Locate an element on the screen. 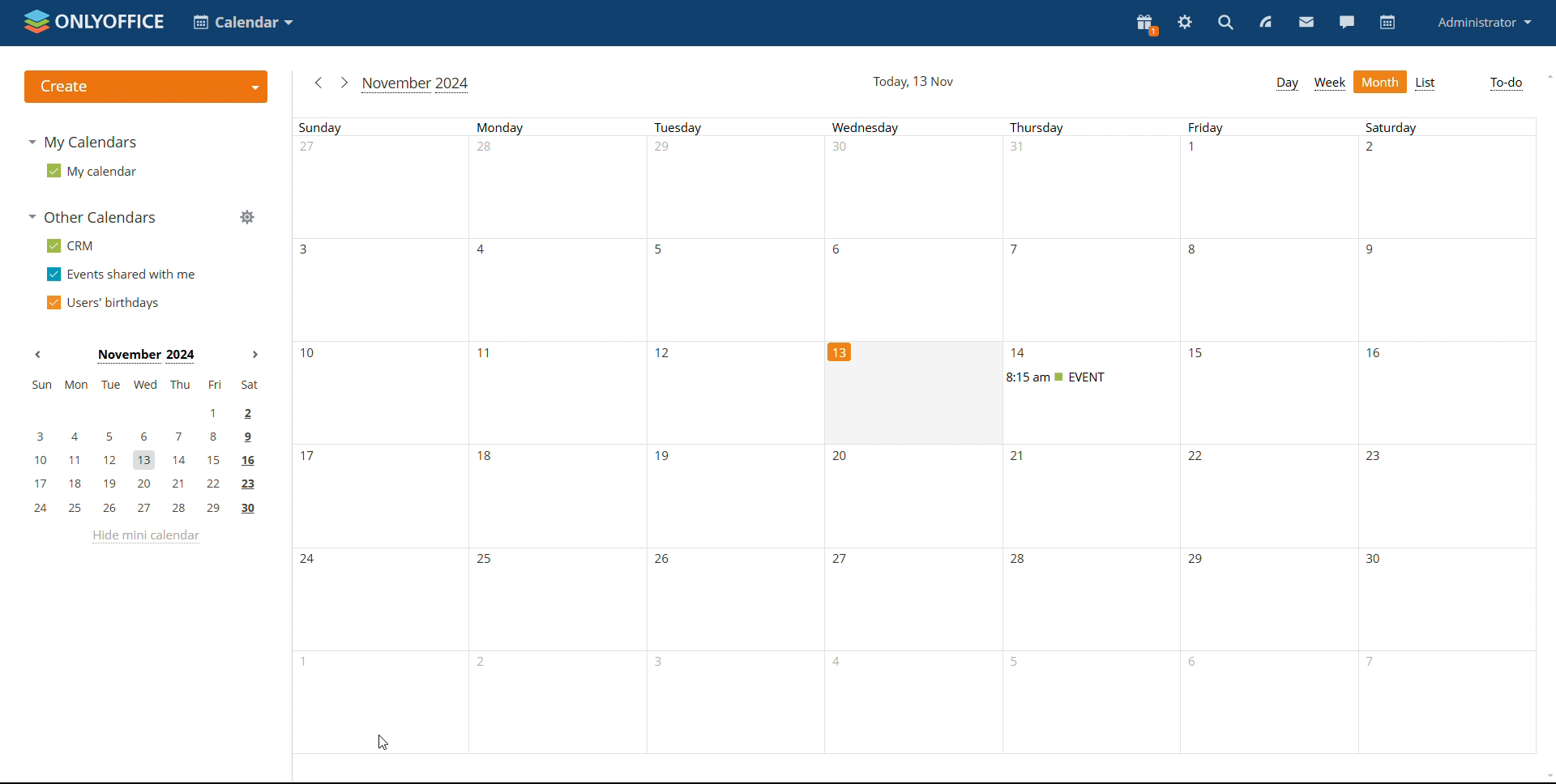  Days of the week is located at coordinates (922, 126).